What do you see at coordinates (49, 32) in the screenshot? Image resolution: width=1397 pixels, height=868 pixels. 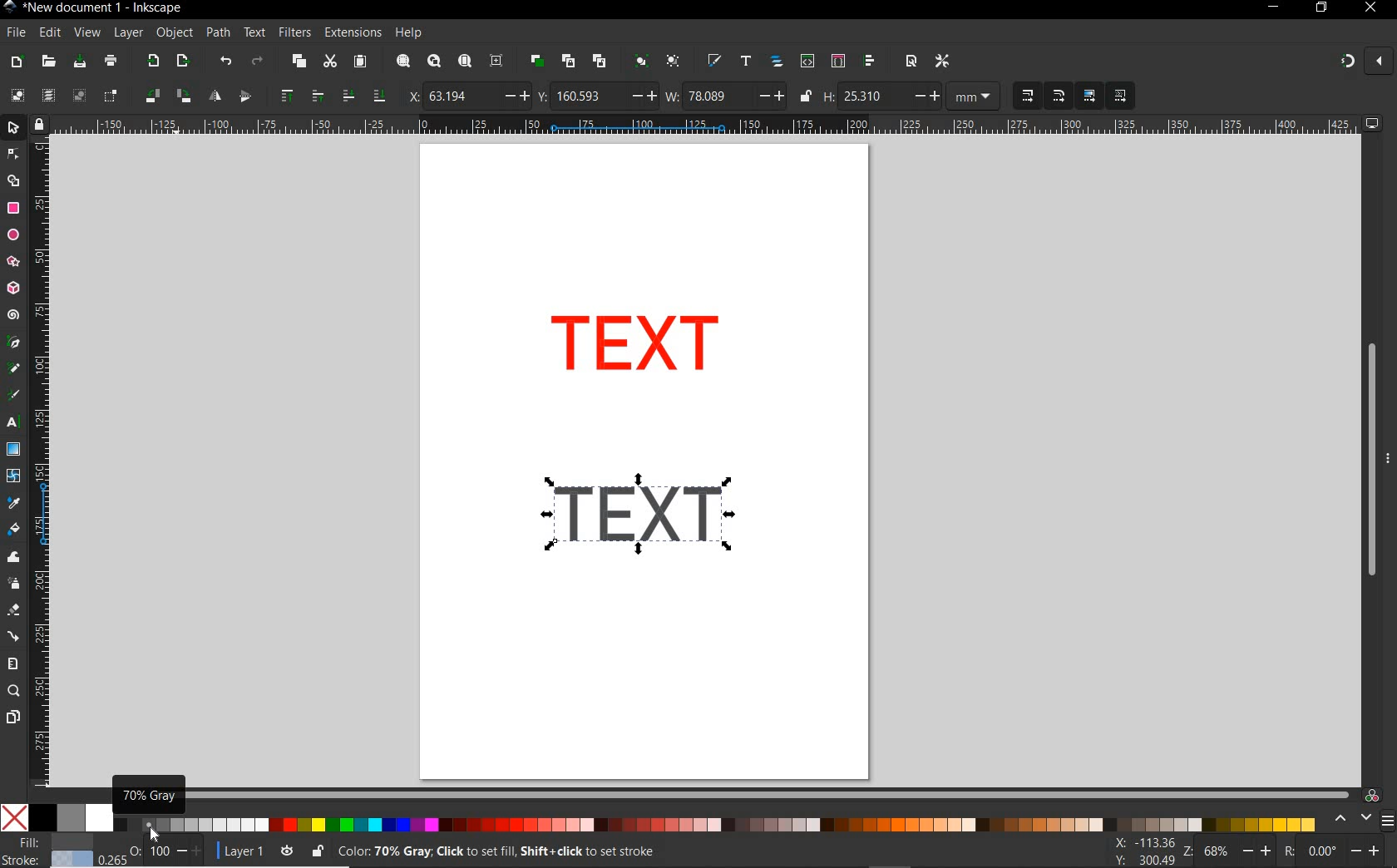 I see `edit` at bounding box center [49, 32].